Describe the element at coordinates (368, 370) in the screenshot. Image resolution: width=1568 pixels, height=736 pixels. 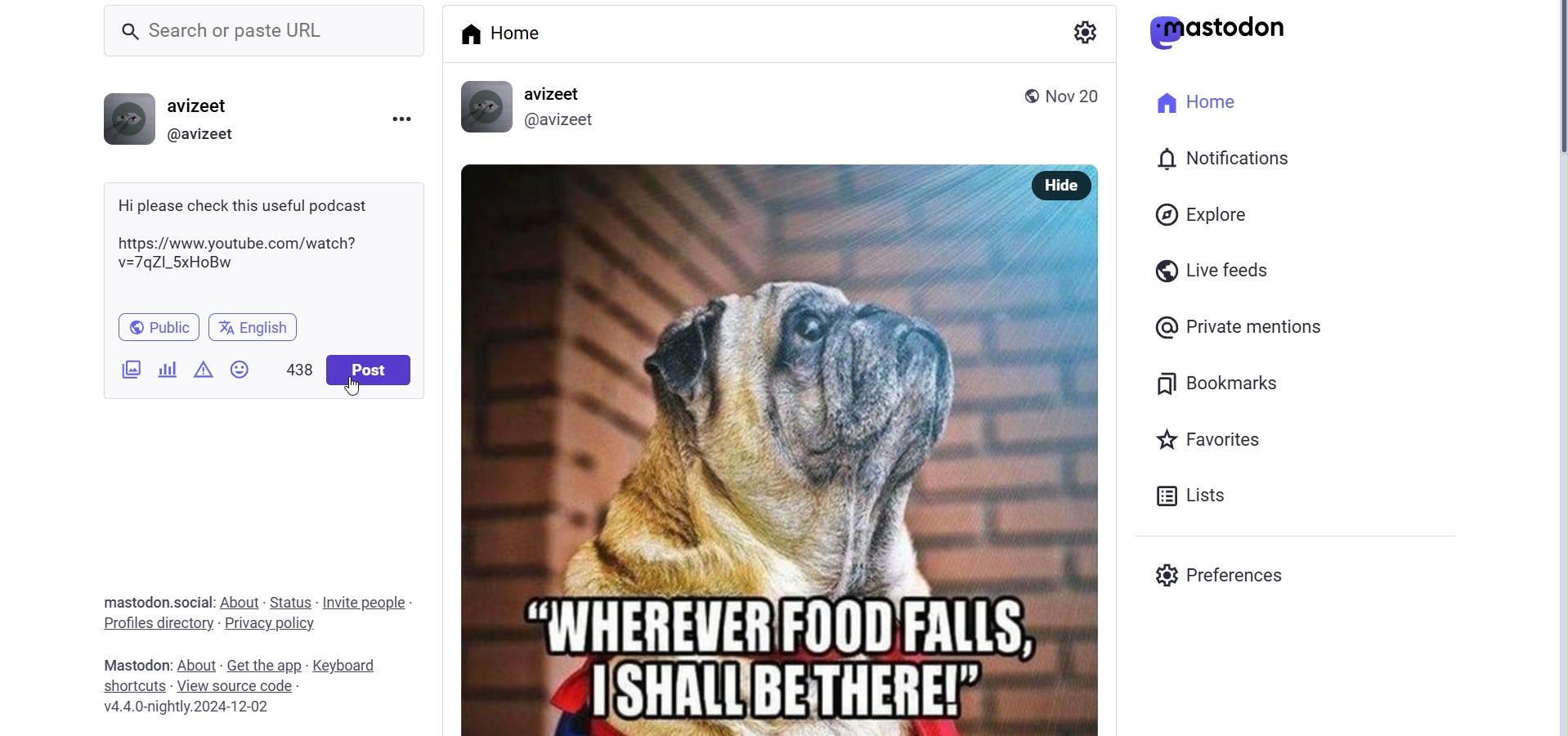
I see `post` at that location.